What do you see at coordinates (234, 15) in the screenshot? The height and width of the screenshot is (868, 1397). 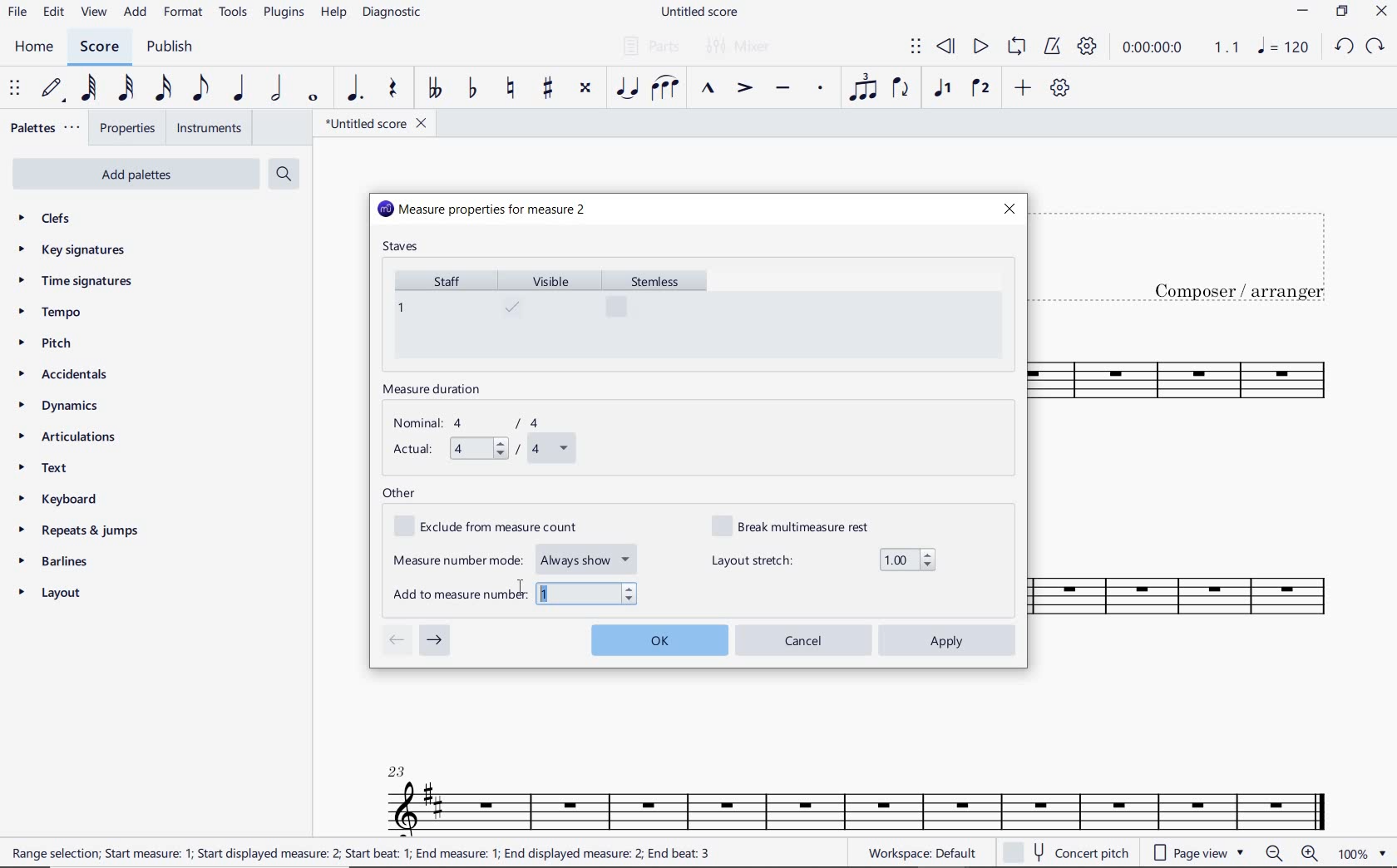 I see `TOOLS` at bounding box center [234, 15].